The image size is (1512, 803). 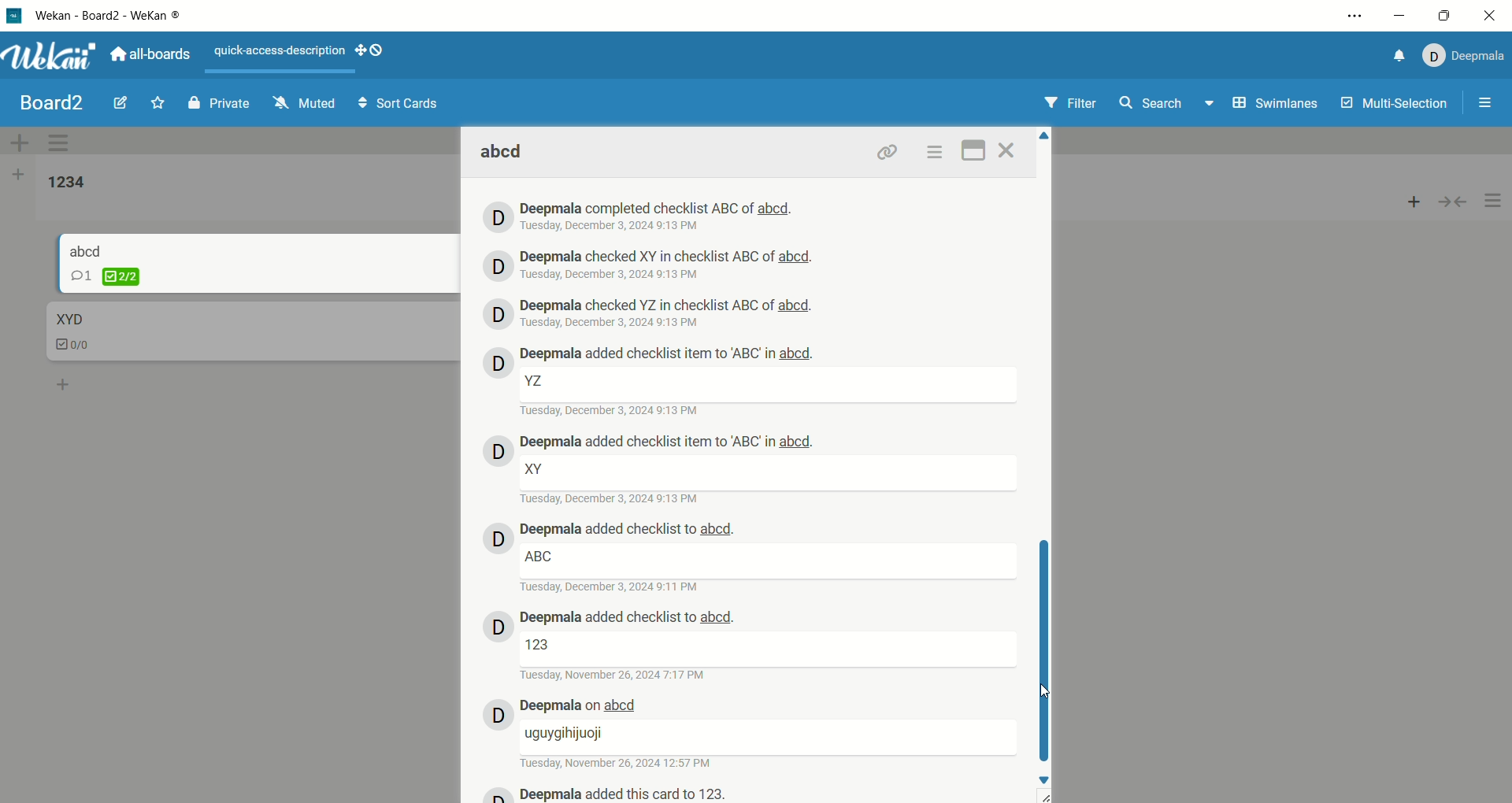 I want to click on date and time, so click(x=616, y=675).